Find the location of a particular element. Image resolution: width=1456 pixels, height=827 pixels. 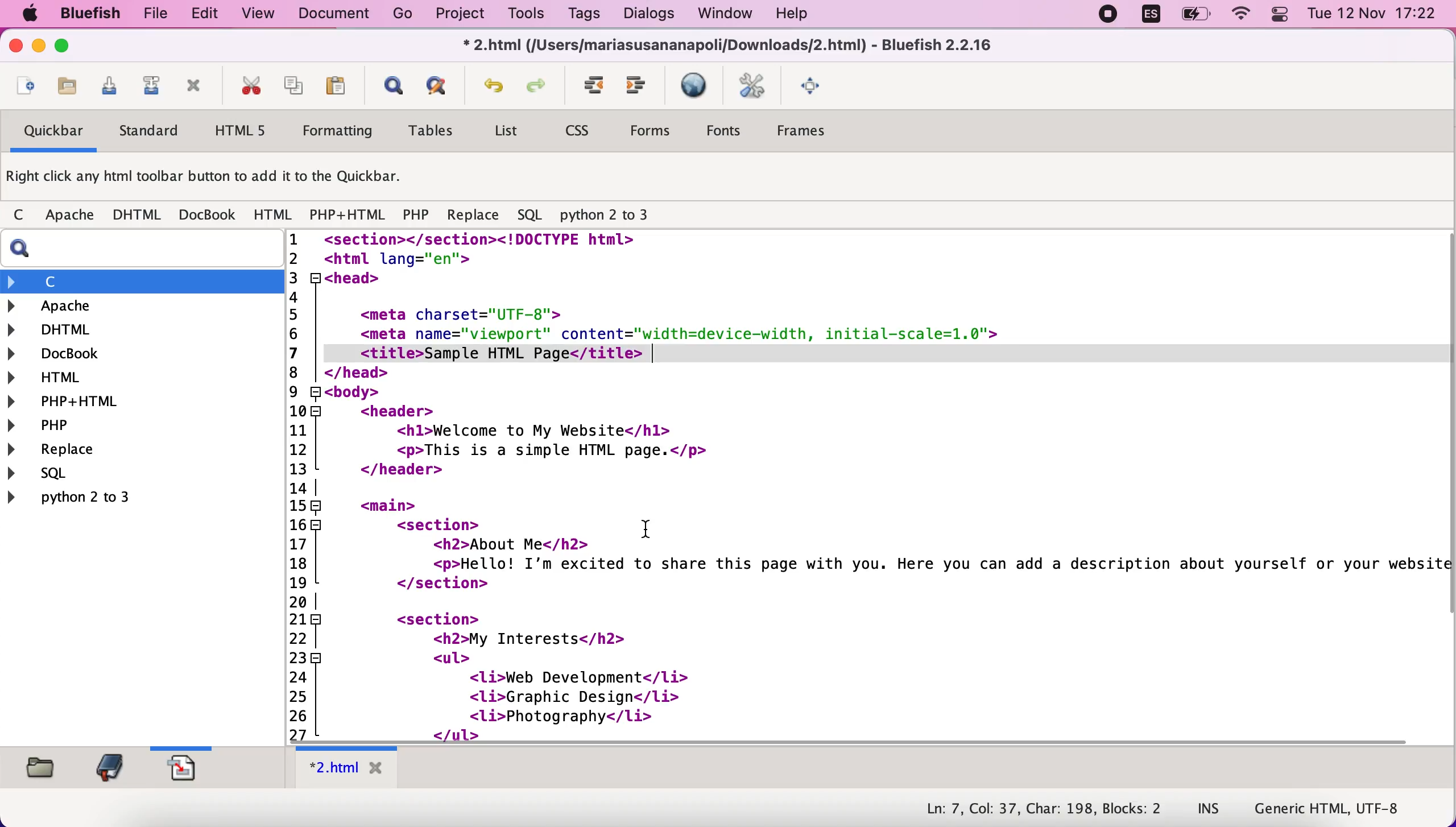

scroll bar is located at coordinates (854, 739).